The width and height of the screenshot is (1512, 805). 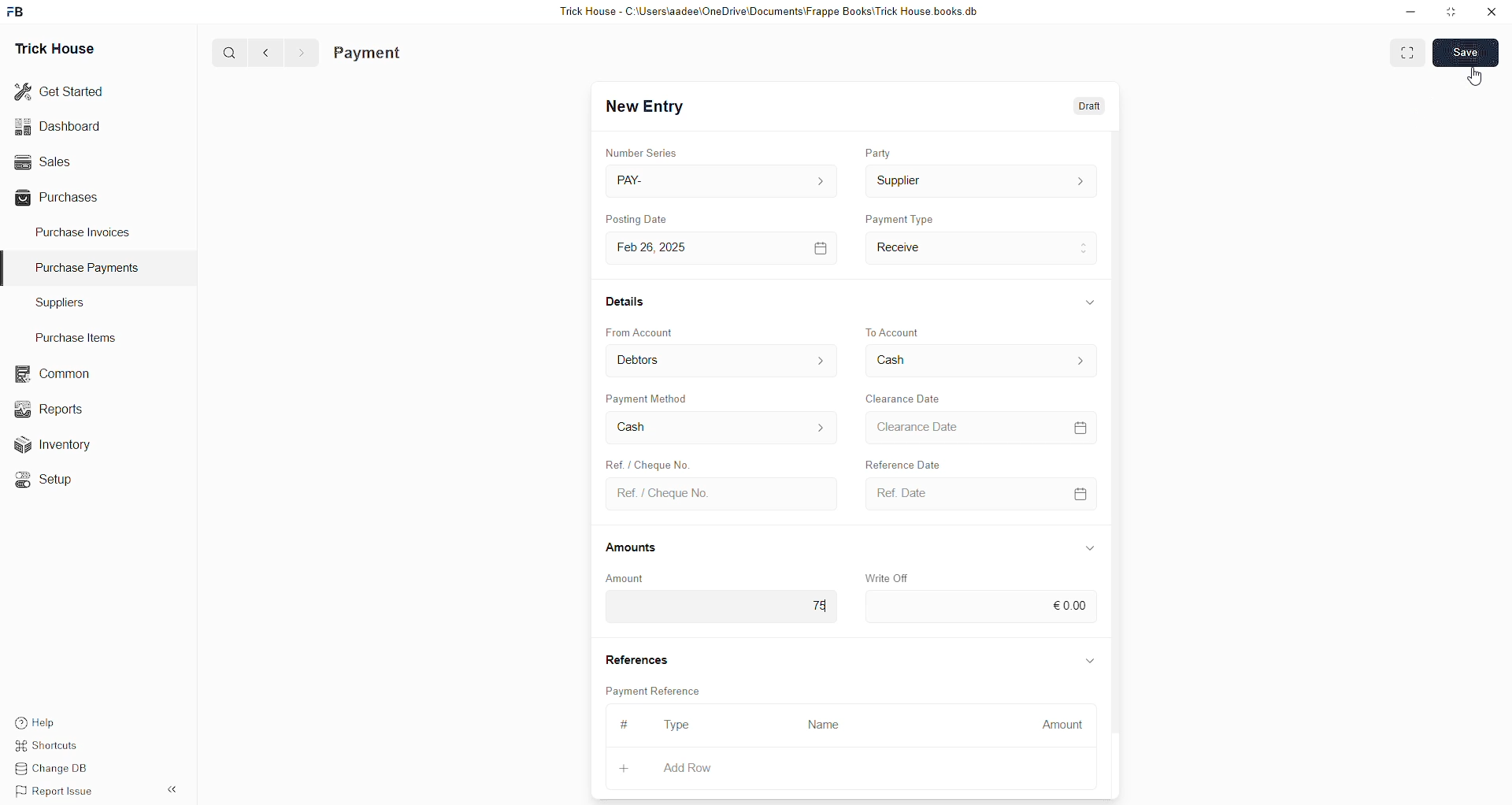 I want to click on New Entry, so click(x=645, y=108).